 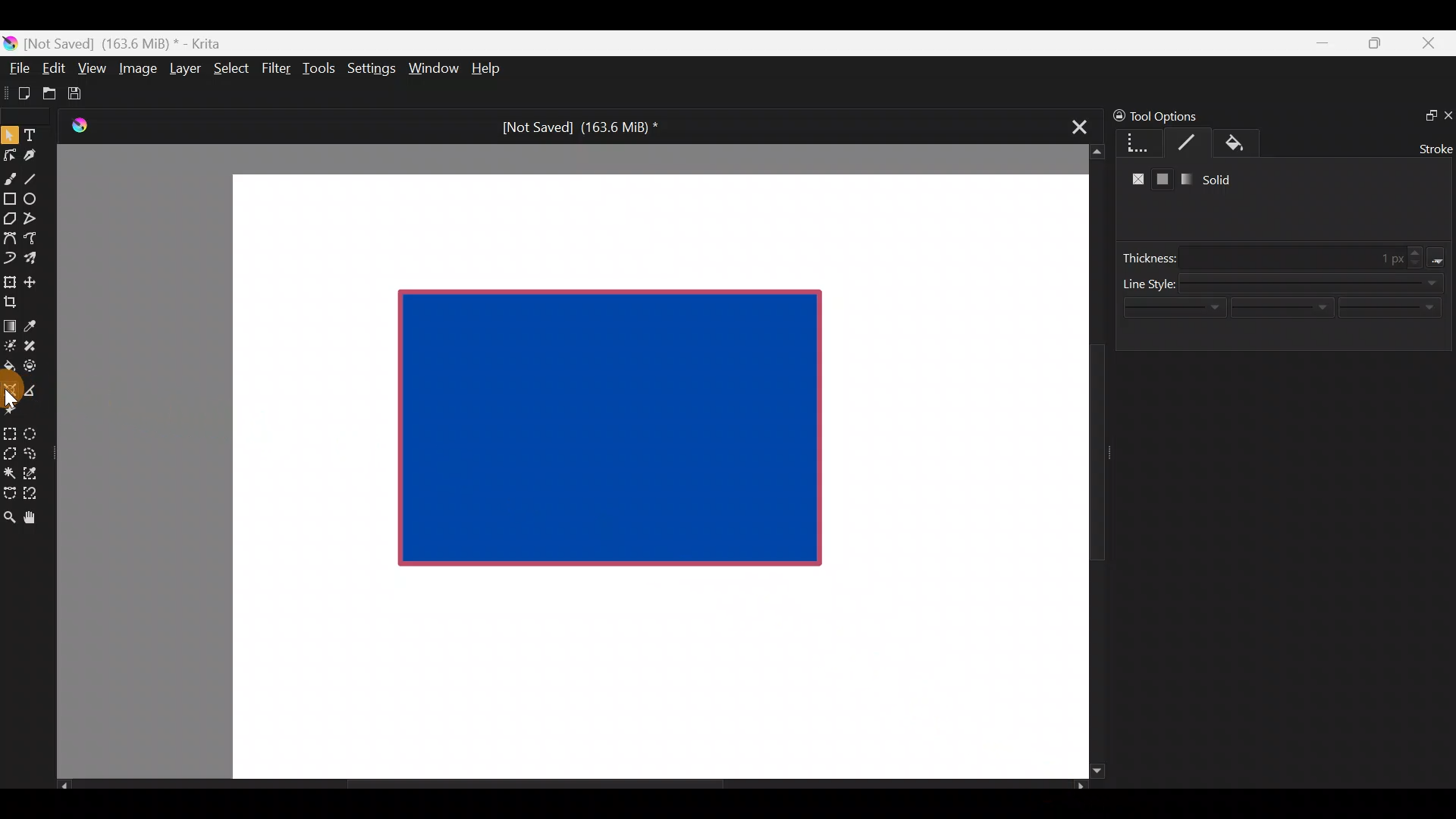 What do you see at coordinates (9, 136) in the screenshot?
I see `Select shapes tool` at bounding box center [9, 136].